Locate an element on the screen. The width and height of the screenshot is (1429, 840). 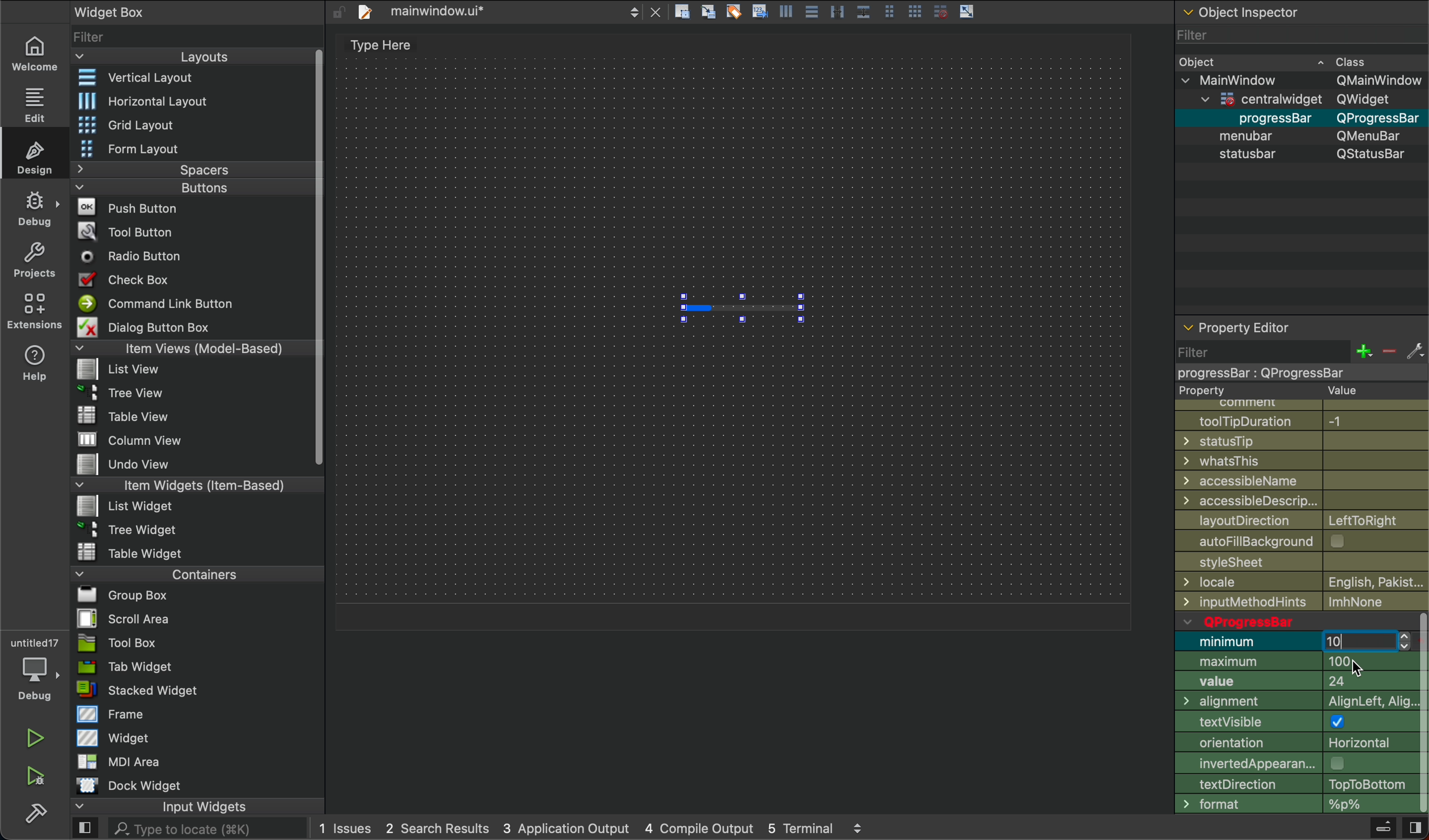
Grid Layout is located at coordinates (157, 124).